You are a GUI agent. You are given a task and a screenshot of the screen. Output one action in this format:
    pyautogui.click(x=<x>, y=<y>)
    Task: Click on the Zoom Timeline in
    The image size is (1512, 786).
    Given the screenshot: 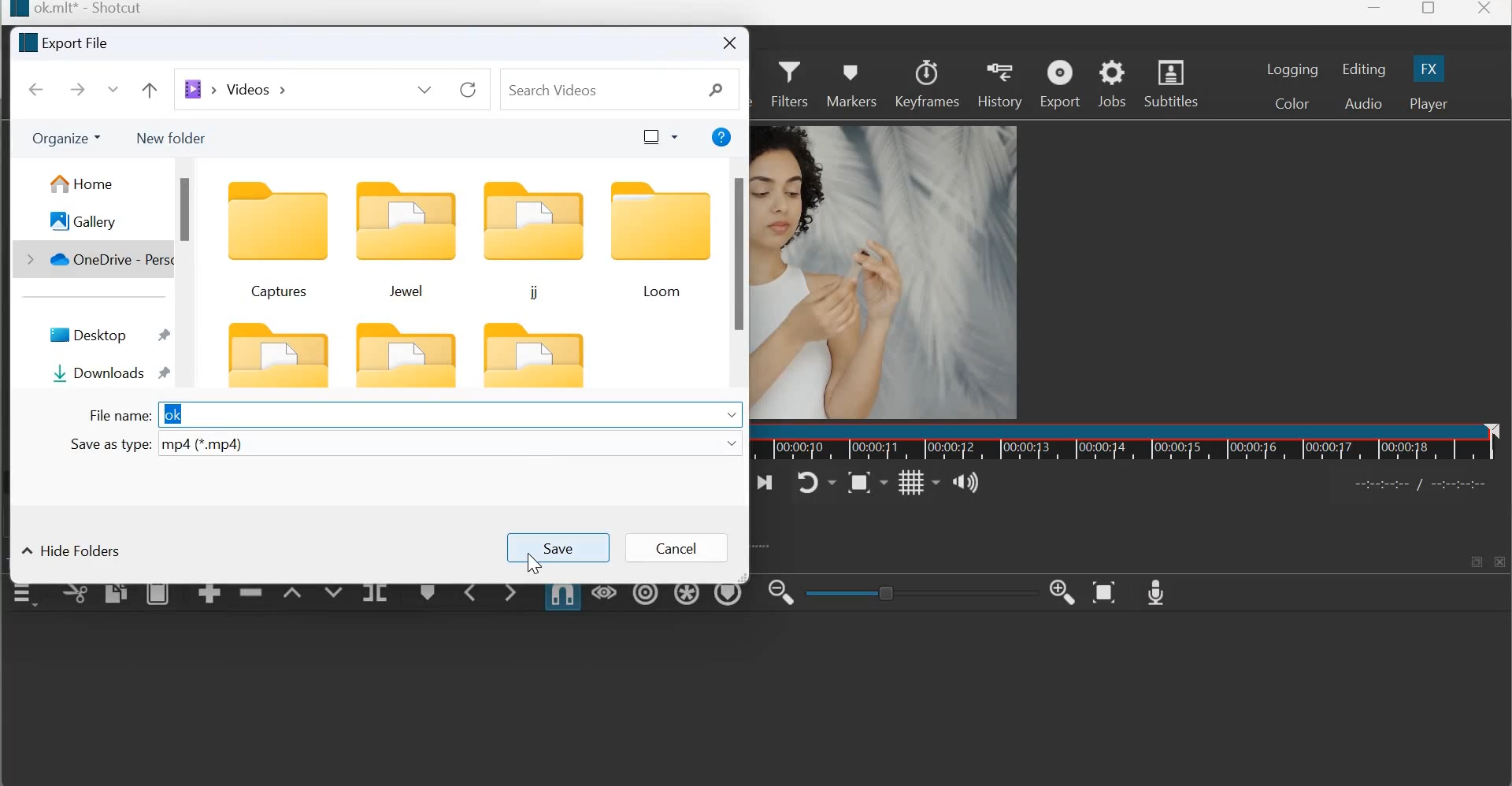 What is the action you would take?
    pyautogui.click(x=1063, y=593)
    